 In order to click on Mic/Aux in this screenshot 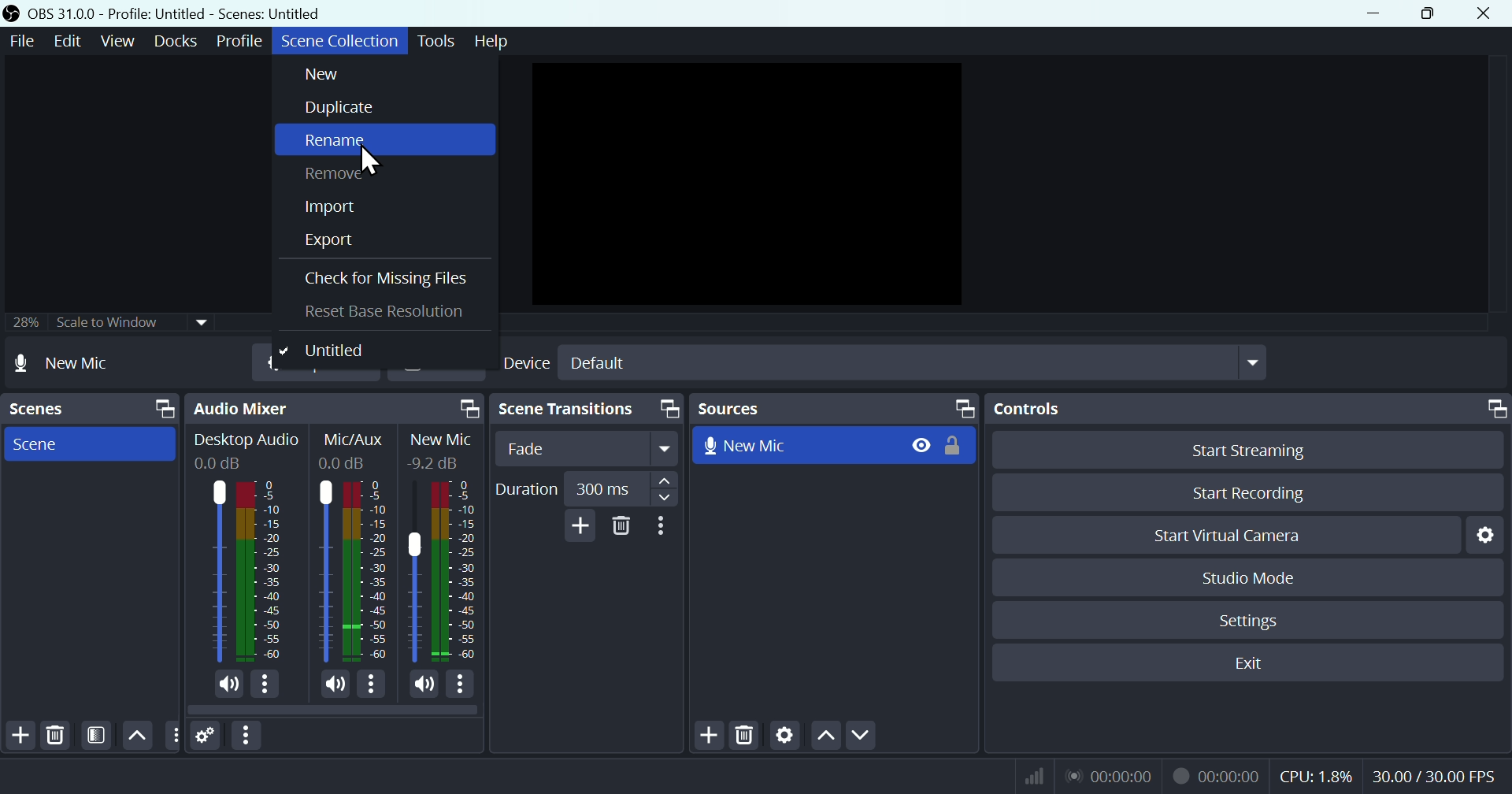, I will do `click(322, 570)`.